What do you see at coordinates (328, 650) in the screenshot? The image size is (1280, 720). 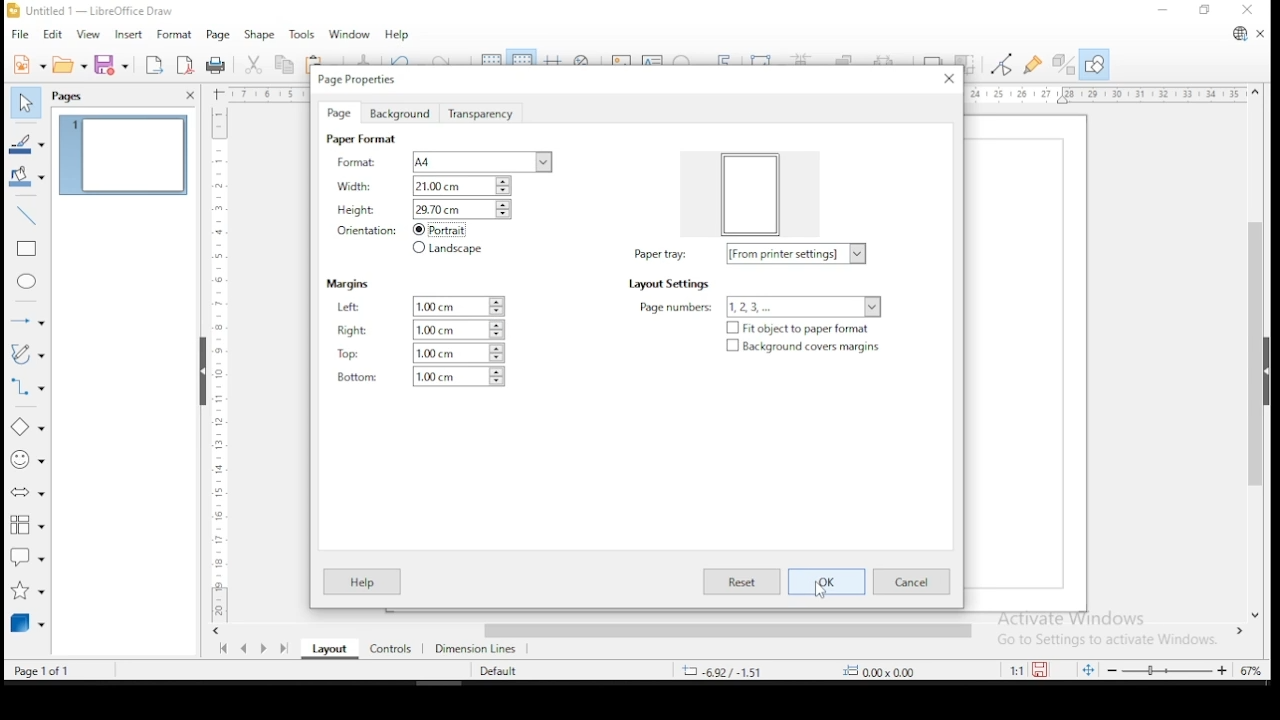 I see `layout` at bounding box center [328, 650].